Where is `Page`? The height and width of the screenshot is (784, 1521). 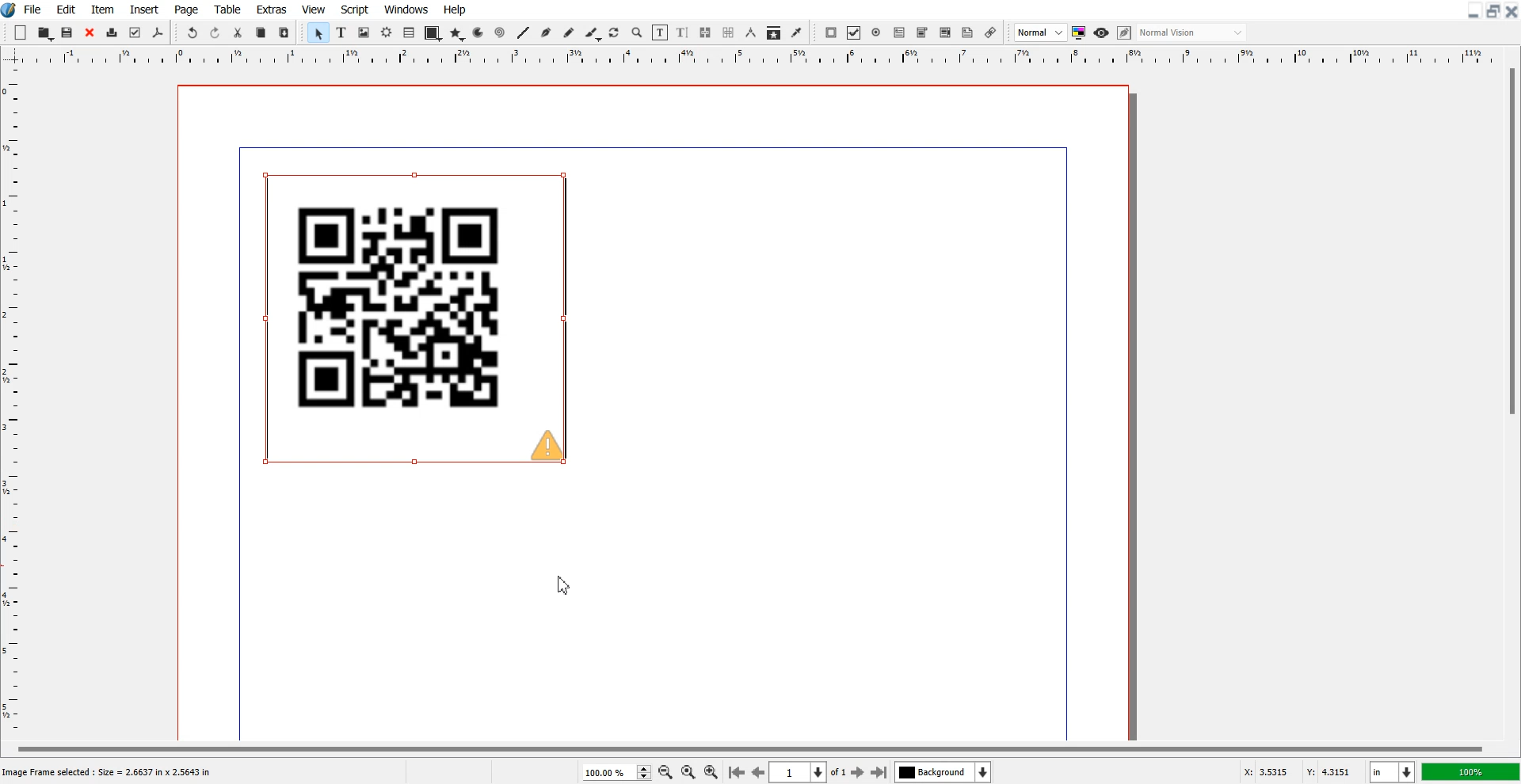 Page is located at coordinates (188, 9).